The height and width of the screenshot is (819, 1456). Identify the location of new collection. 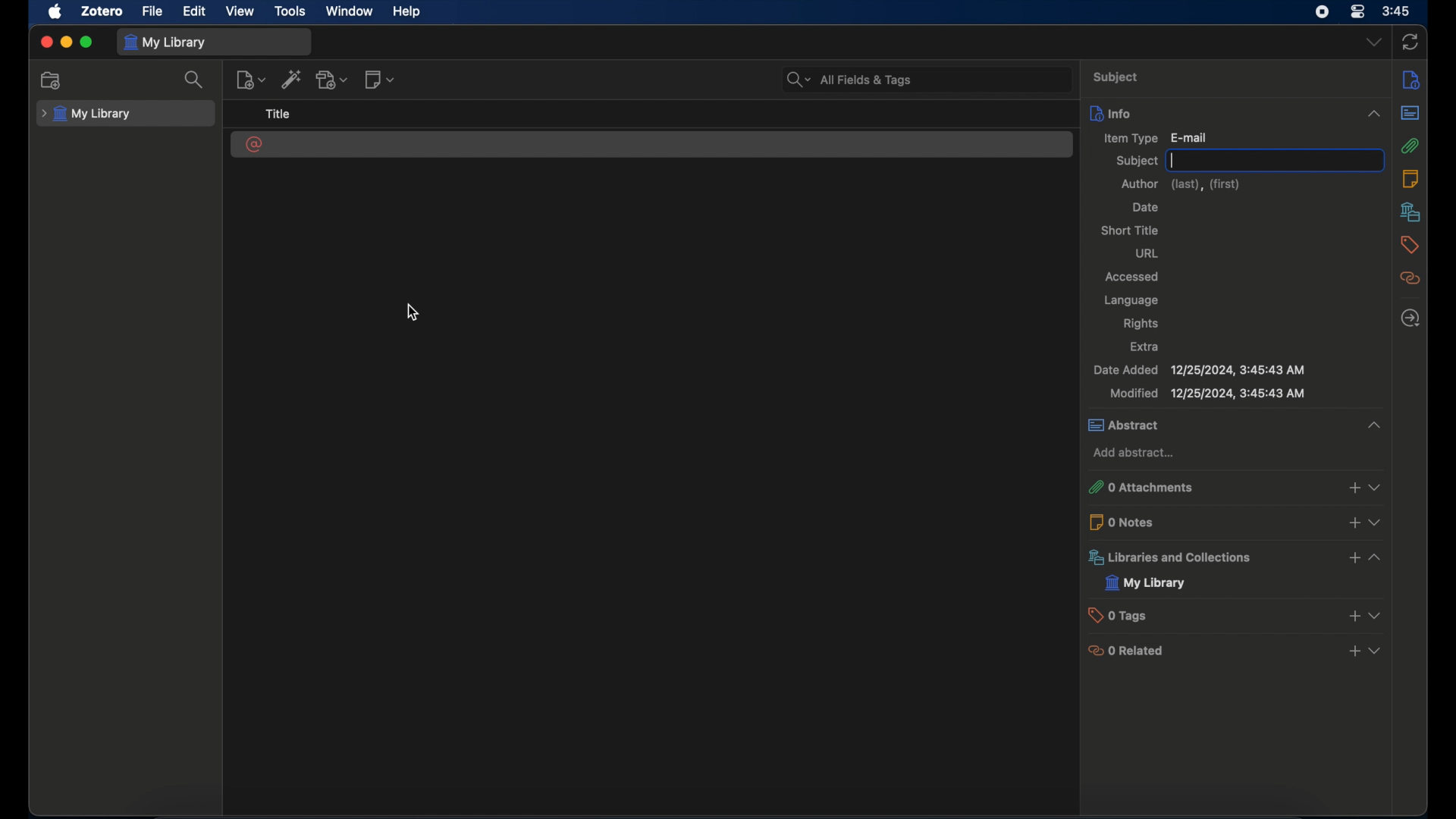
(52, 80).